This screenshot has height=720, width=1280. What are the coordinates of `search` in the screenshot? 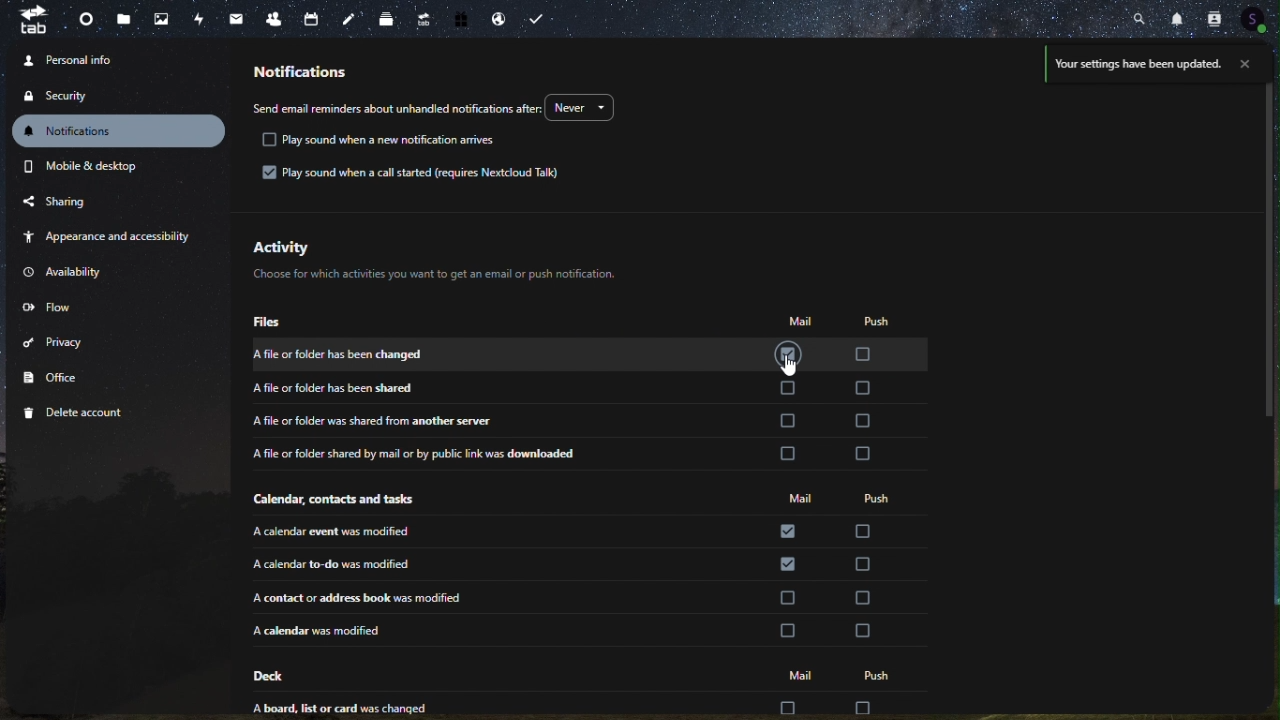 It's located at (1142, 17).